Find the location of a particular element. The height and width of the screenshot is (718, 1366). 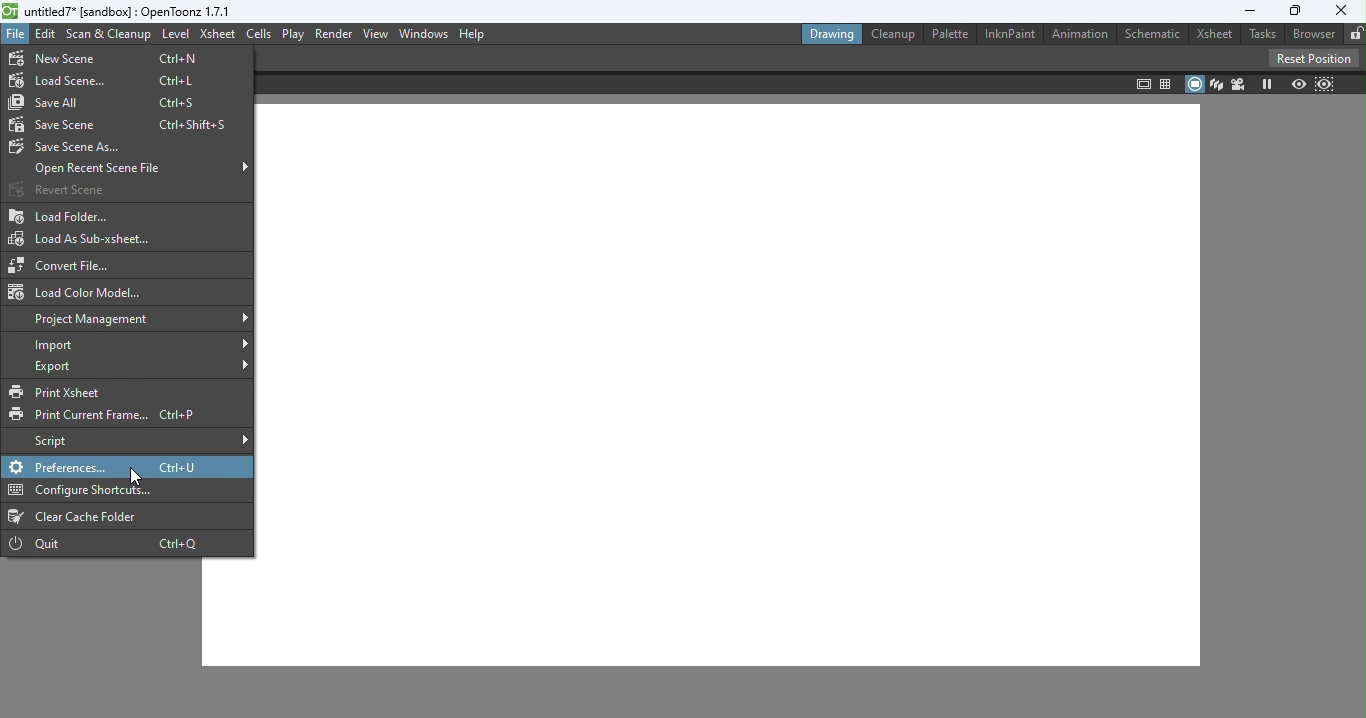

Safe area is located at coordinates (1143, 84).